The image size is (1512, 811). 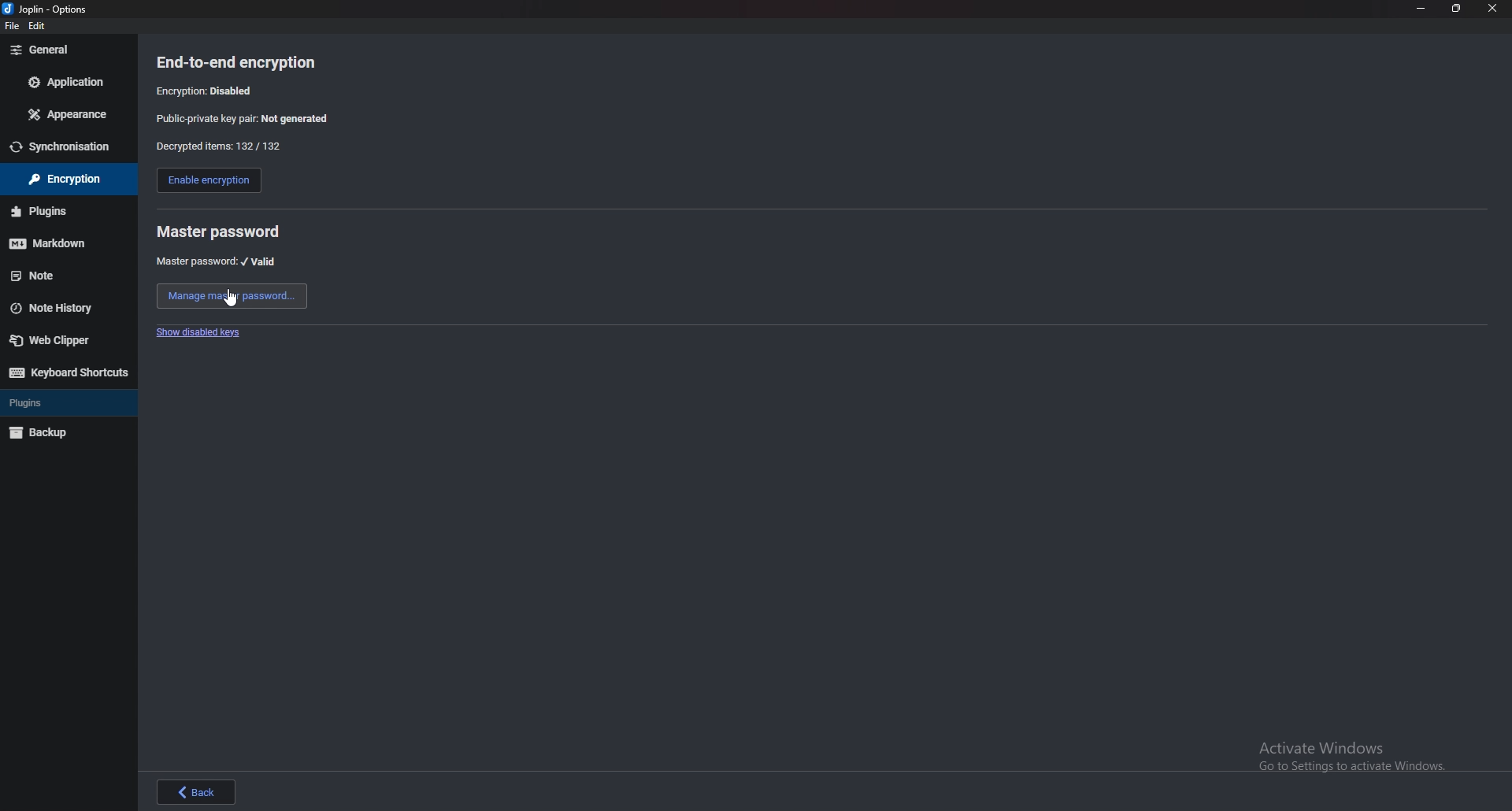 What do you see at coordinates (1494, 9) in the screenshot?
I see `close` at bounding box center [1494, 9].